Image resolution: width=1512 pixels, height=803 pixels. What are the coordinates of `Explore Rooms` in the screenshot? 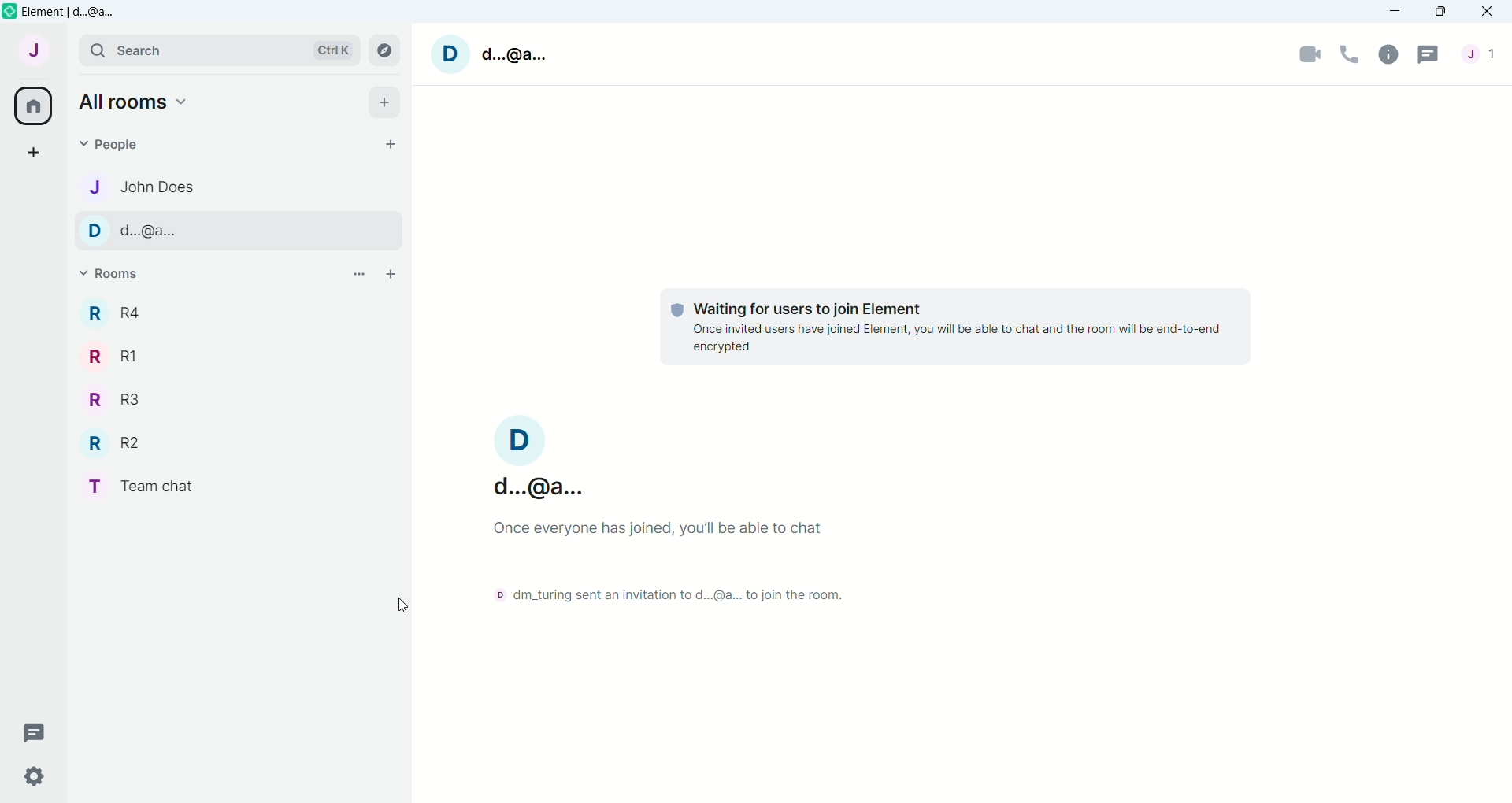 It's located at (390, 52).